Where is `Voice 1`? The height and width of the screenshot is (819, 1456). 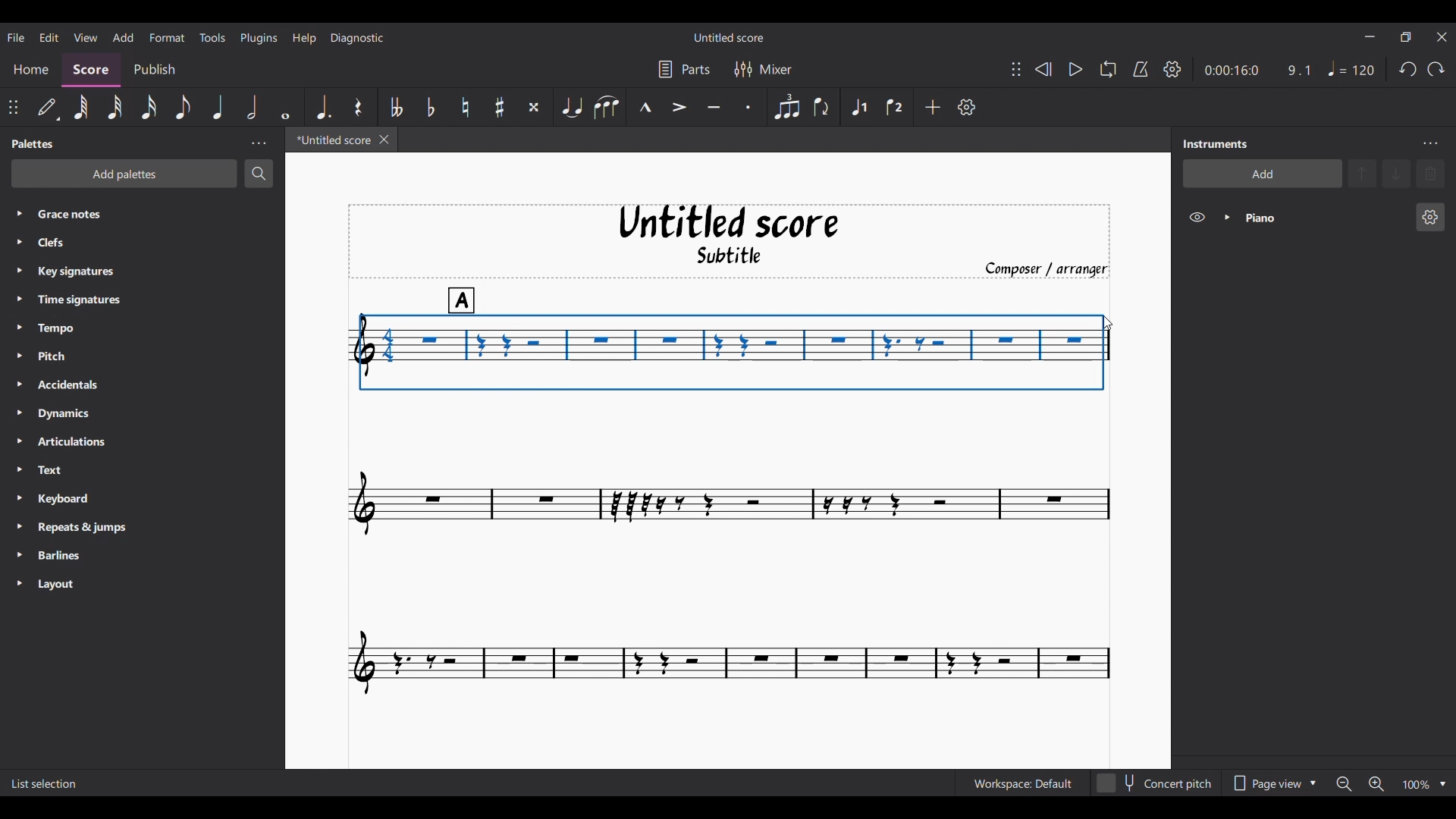 Voice 1 is located at coordinates (858, 108).